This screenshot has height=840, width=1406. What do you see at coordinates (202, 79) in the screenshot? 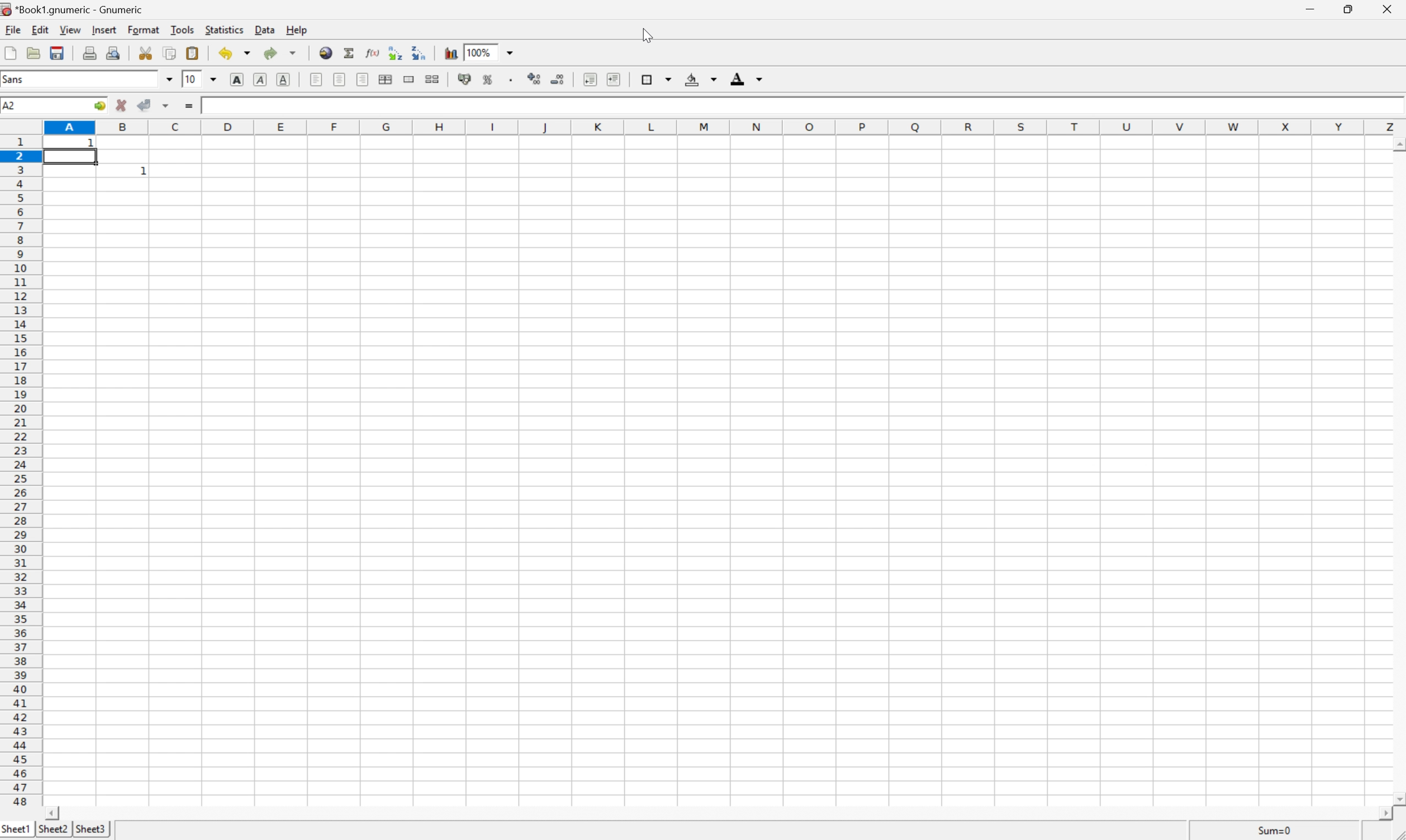
I see `font size 10` at bounding box center [202, 79].